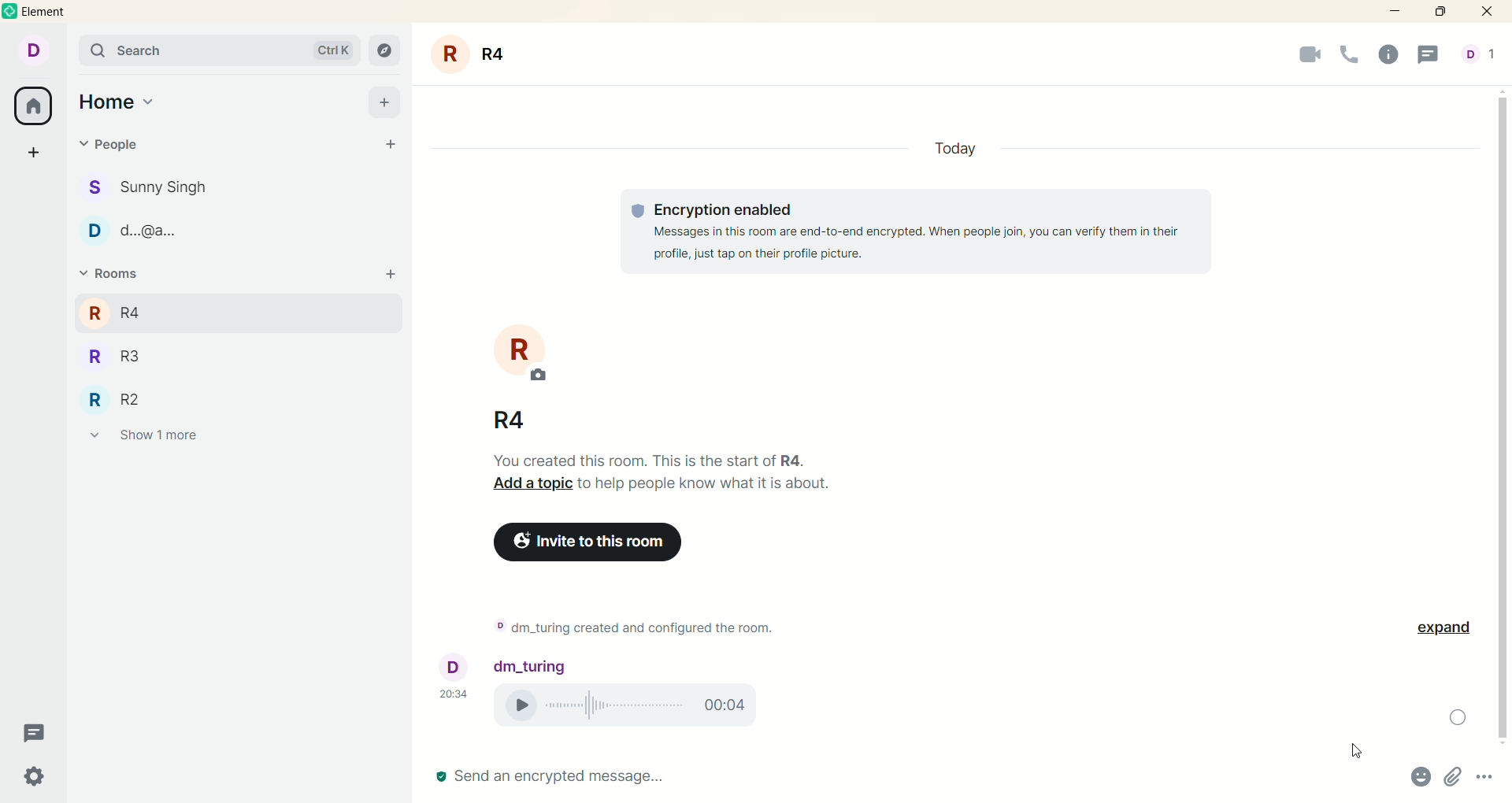 Image resolution: width=1512 pixels, height=803 pixels. I want to click on search, so click(219, 50).